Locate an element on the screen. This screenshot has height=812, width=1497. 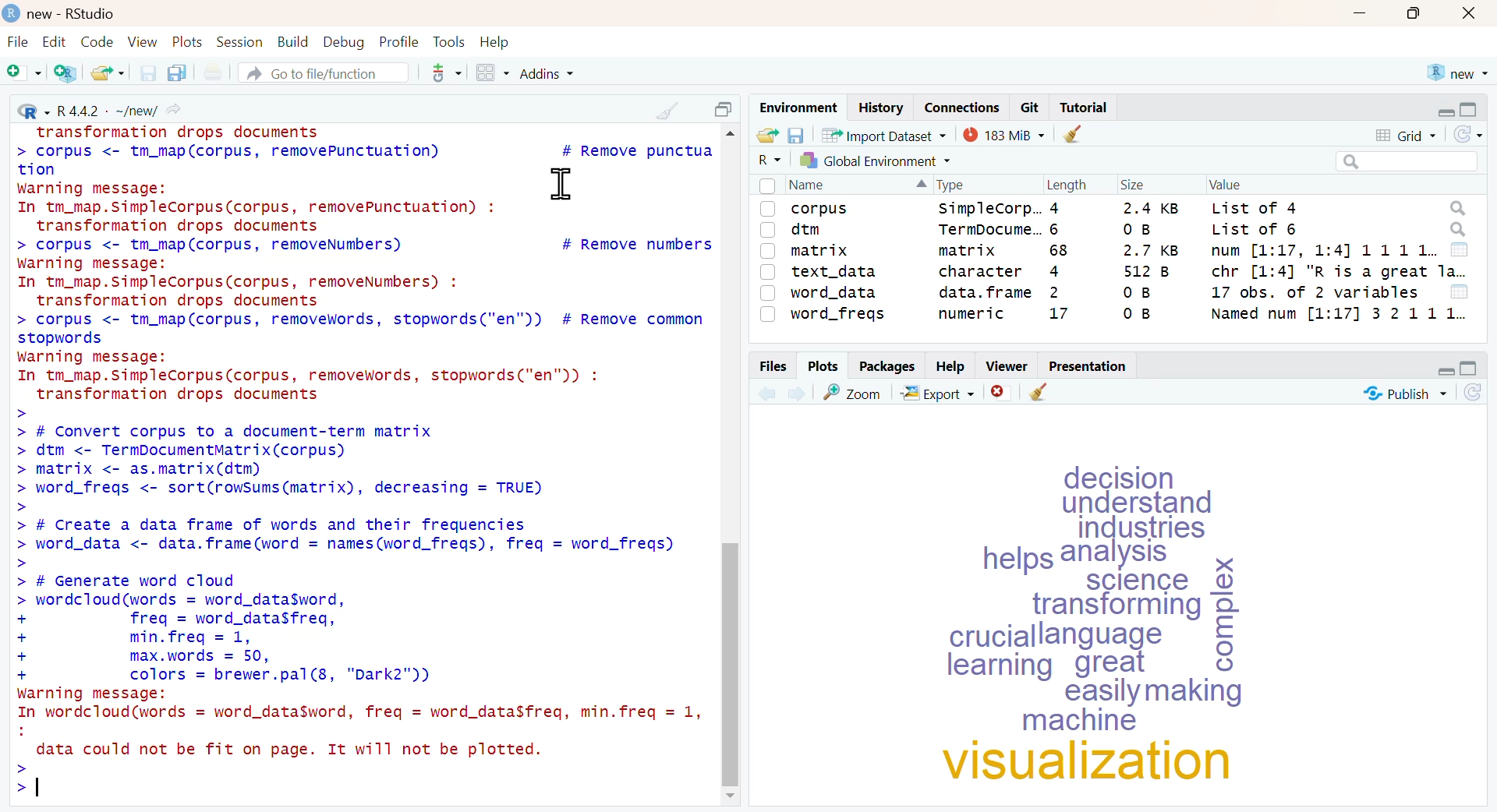
science is located at coordinates (1143, 580).